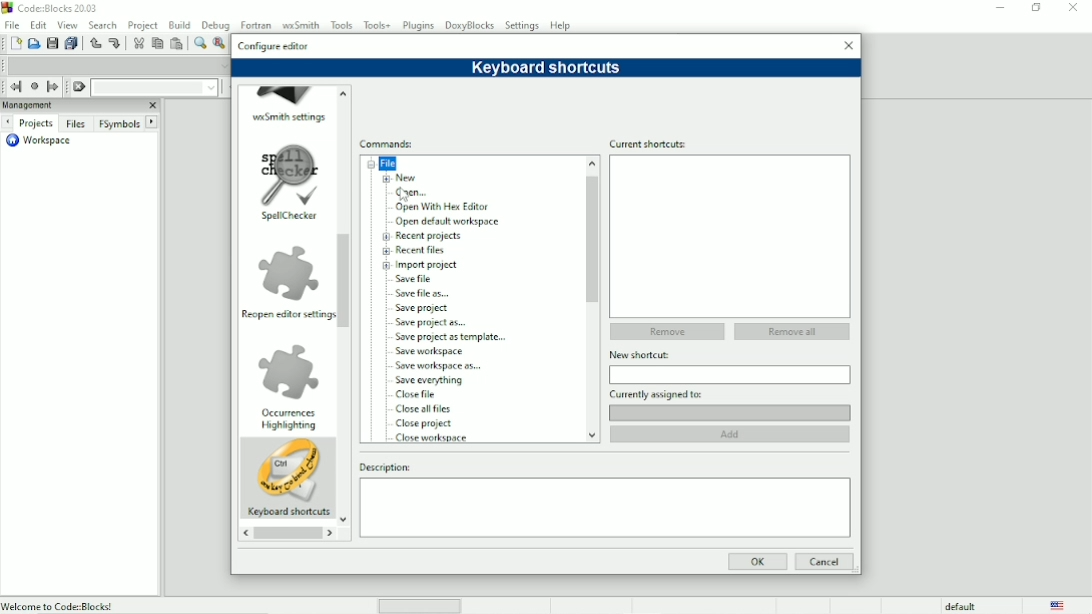 This screenshot has width=1092, height=614. Describe the element at coordinates (287, 272) in the screenshot. I see `Image` at that location.